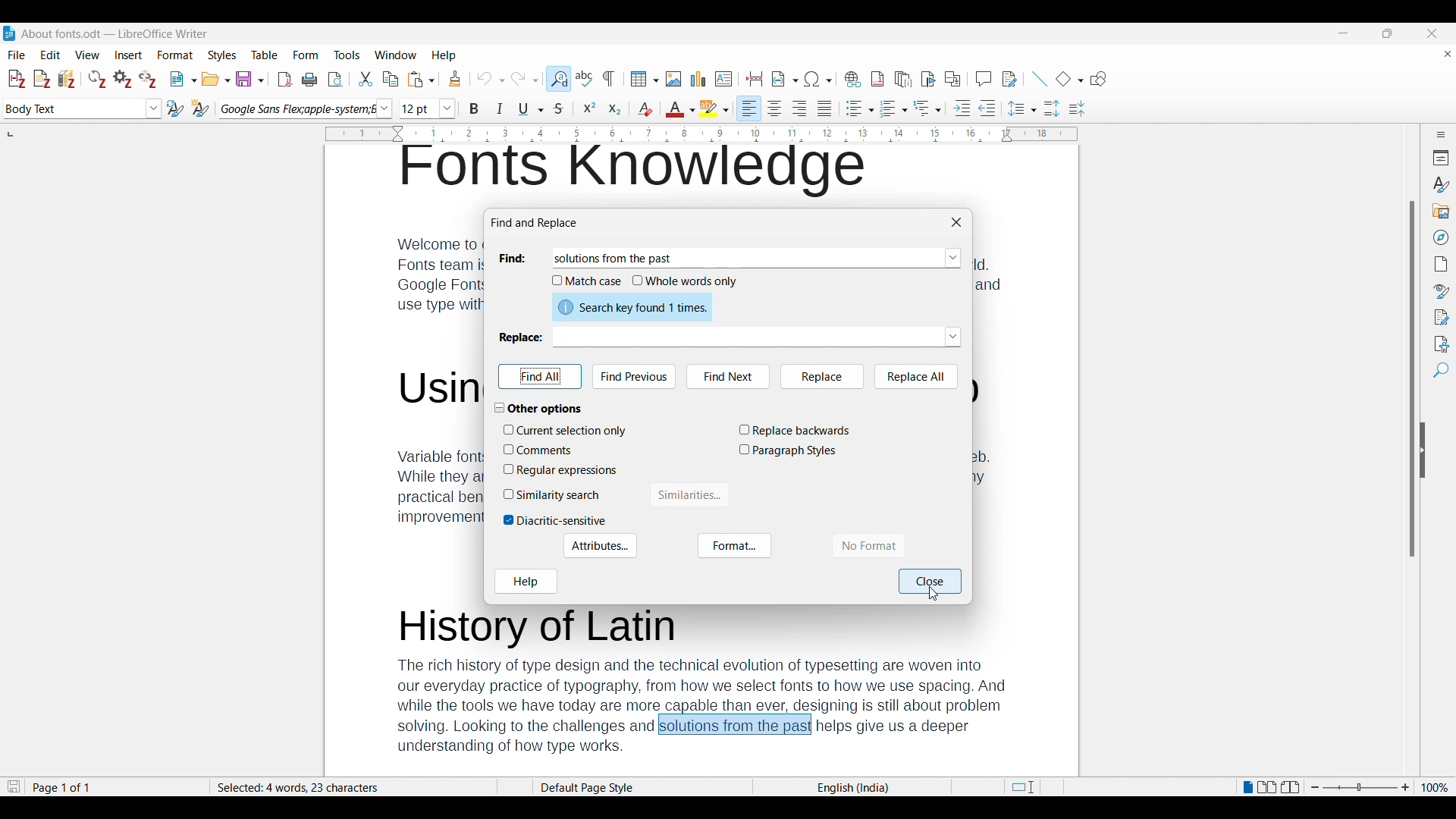  Describe the element at coordinates (859, 108) in the screenshot. I see `Toggle unordered list options` at that location.